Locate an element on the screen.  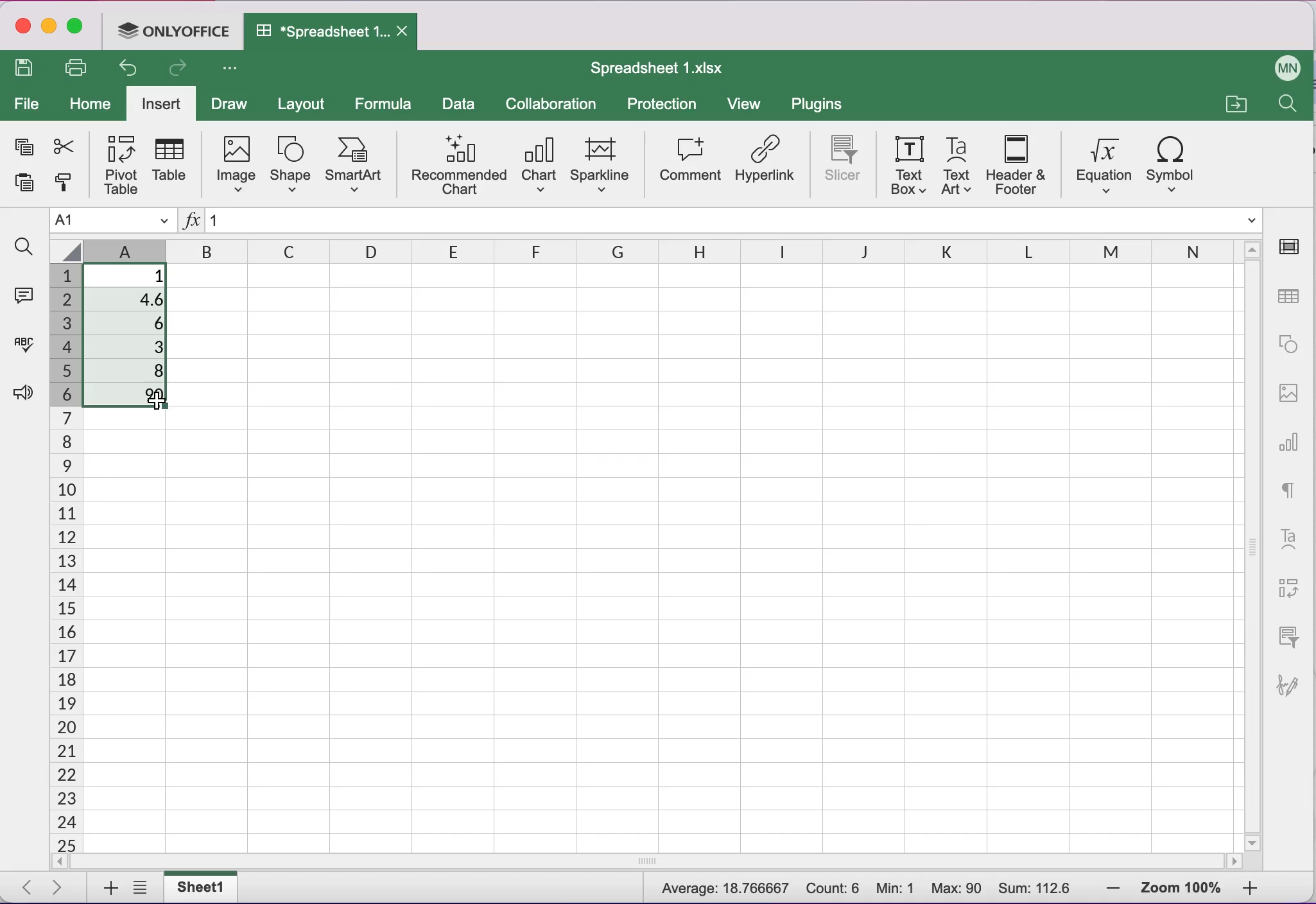
Cursor is located at coordinates (152, 403).